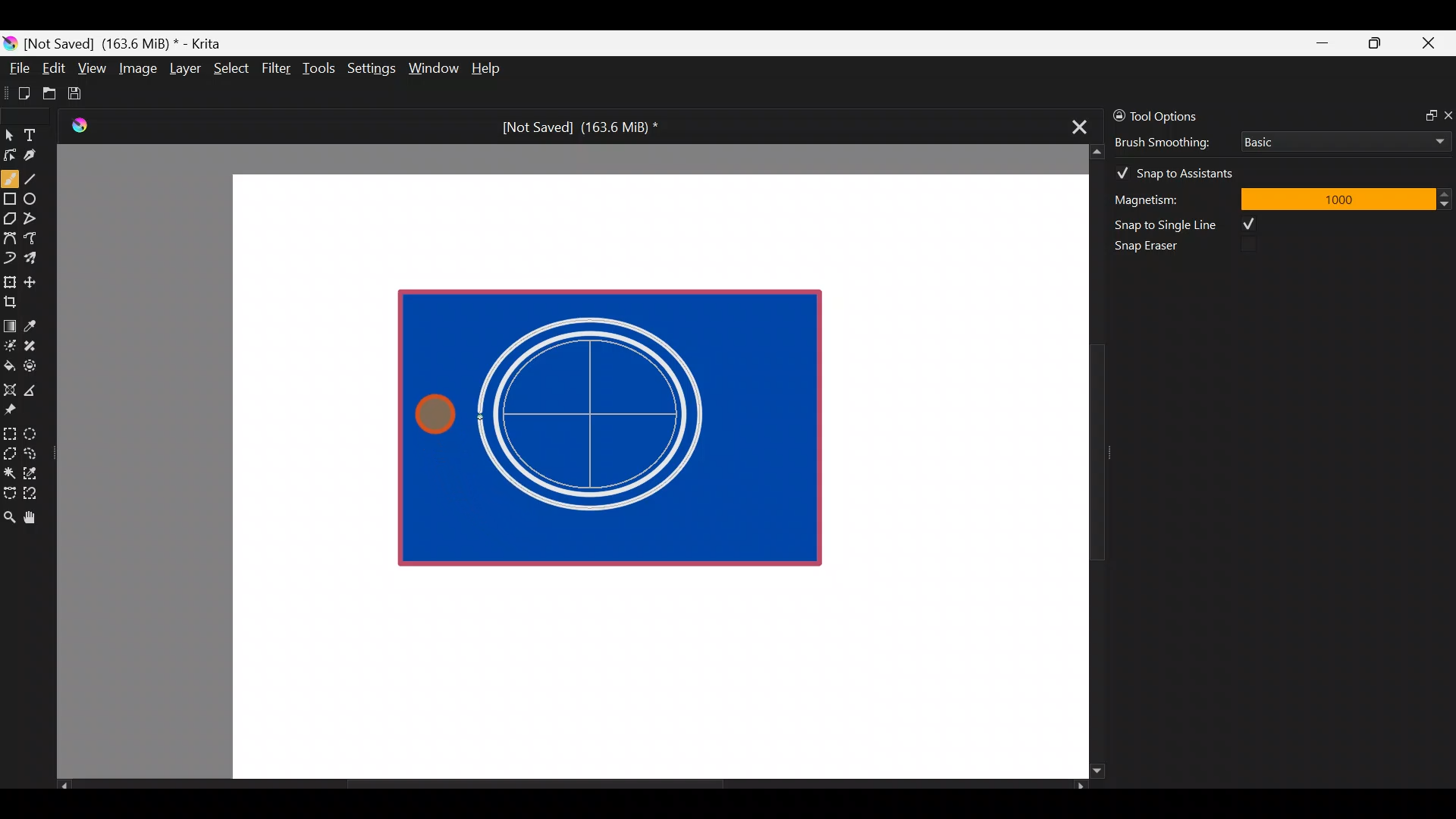  What do you see at coordinates (36, 324) in the screenshot?
I see `Sample a colour from the image/current layer` at bounding box center [36, 324].